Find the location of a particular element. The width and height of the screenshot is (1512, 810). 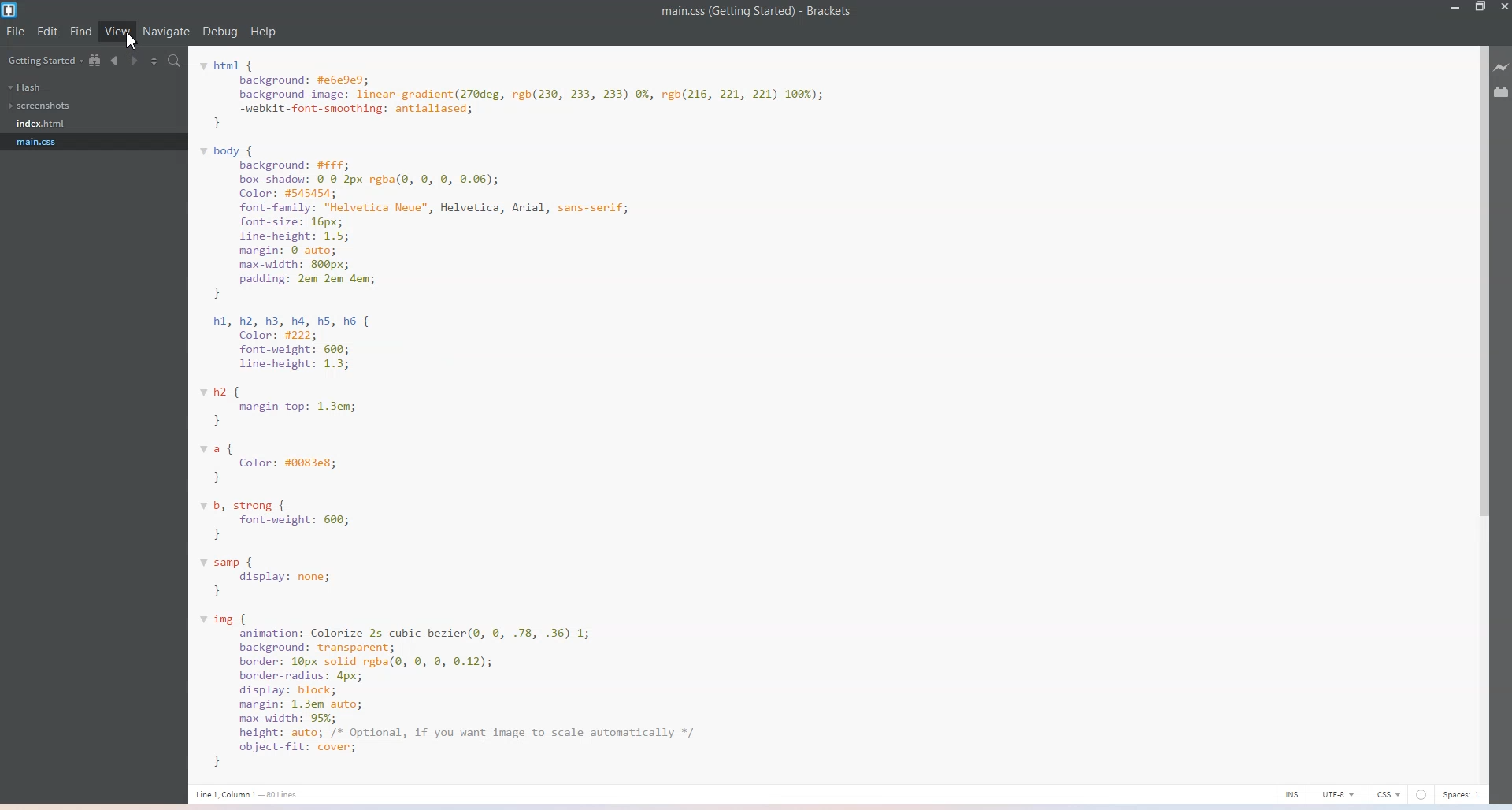

Live Preview is located at coordinates (1503, 68).